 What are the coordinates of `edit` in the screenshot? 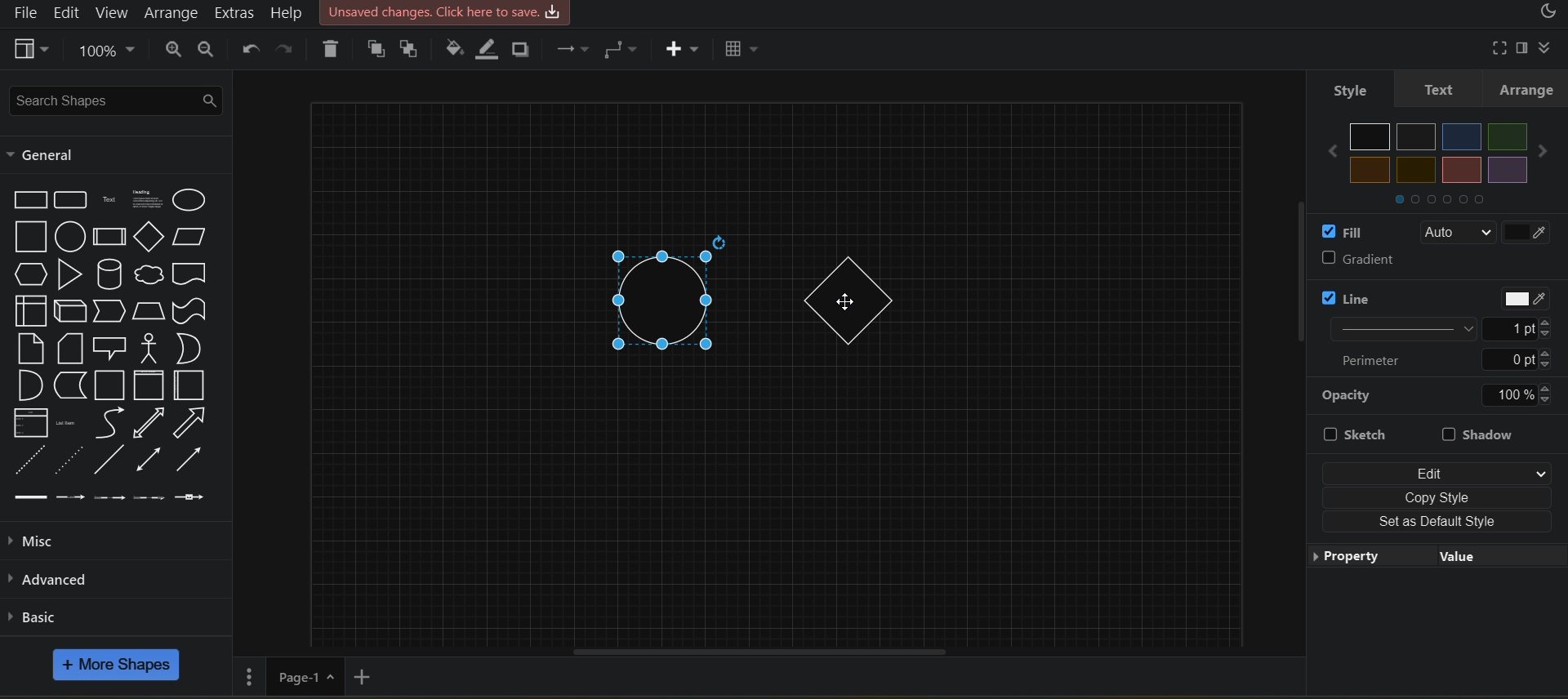 It's located at (1432, 471).